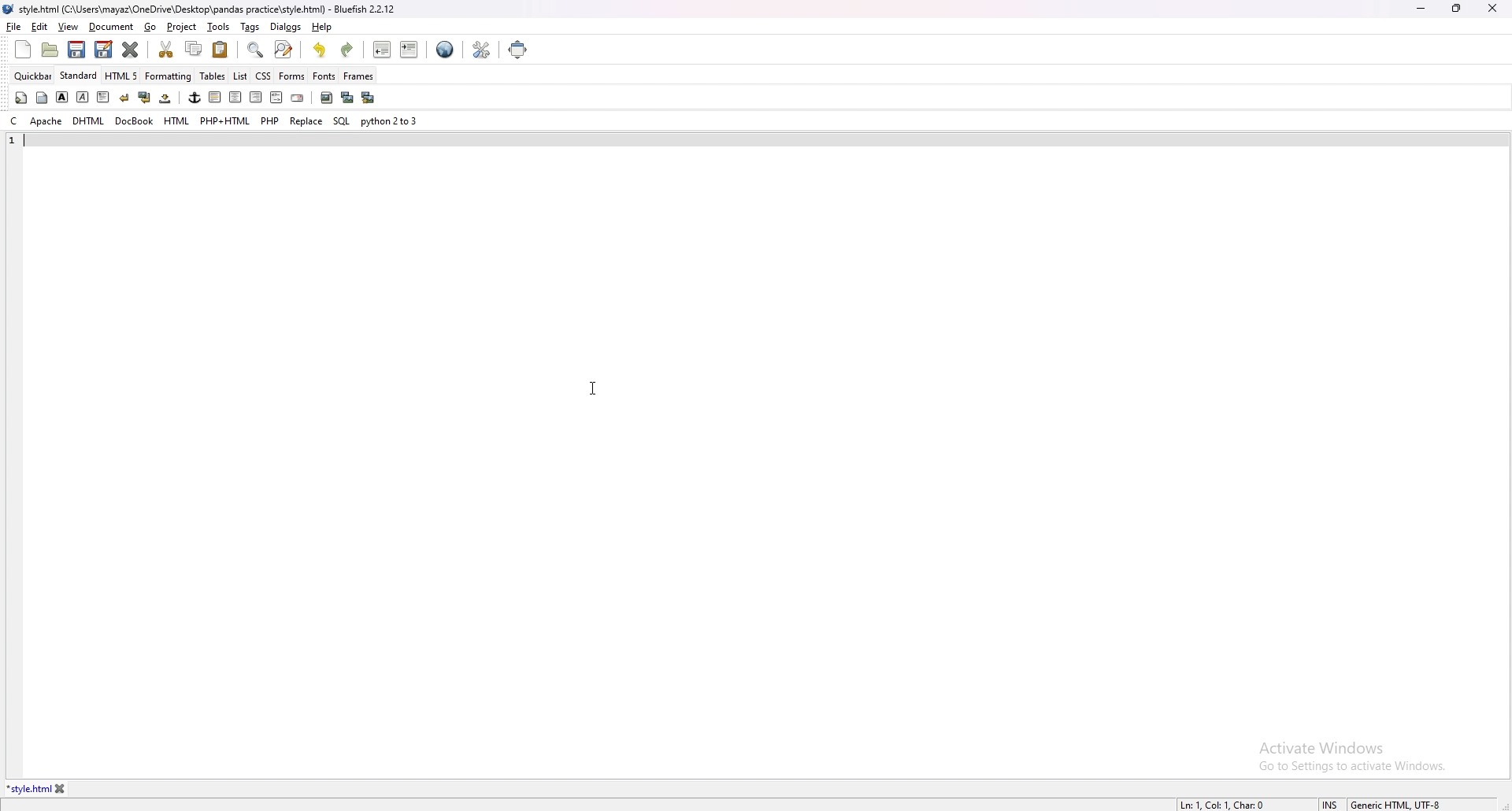 Image resolution: width=1512 pixels, height=811 pixels. I want to click on line number, so click(13, 141).